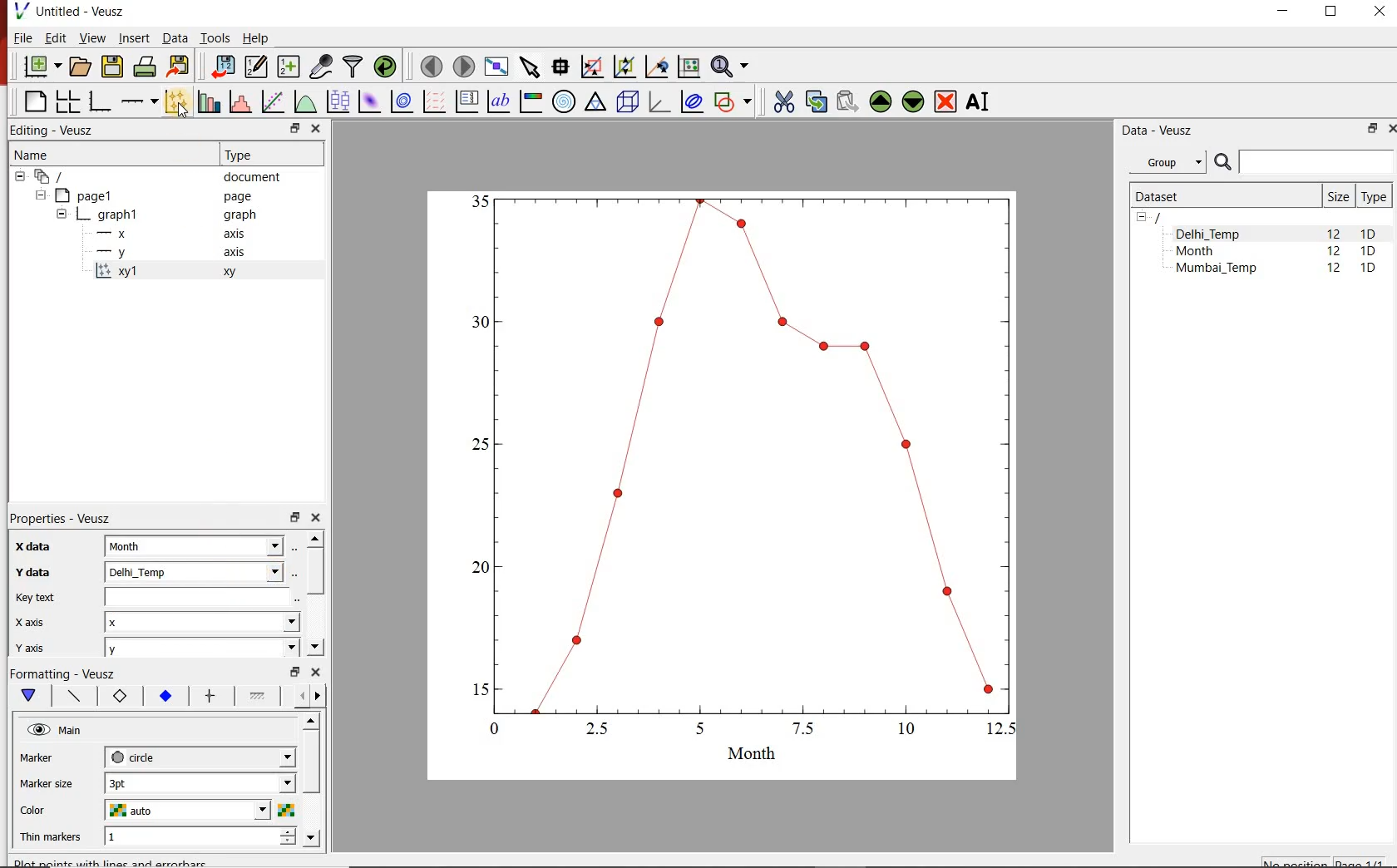 This screenshot has width=1397, height=868. What do you see at coordinates (741, 474) in the screenshot?
I see `graph1` at bounding box center [741, 474].